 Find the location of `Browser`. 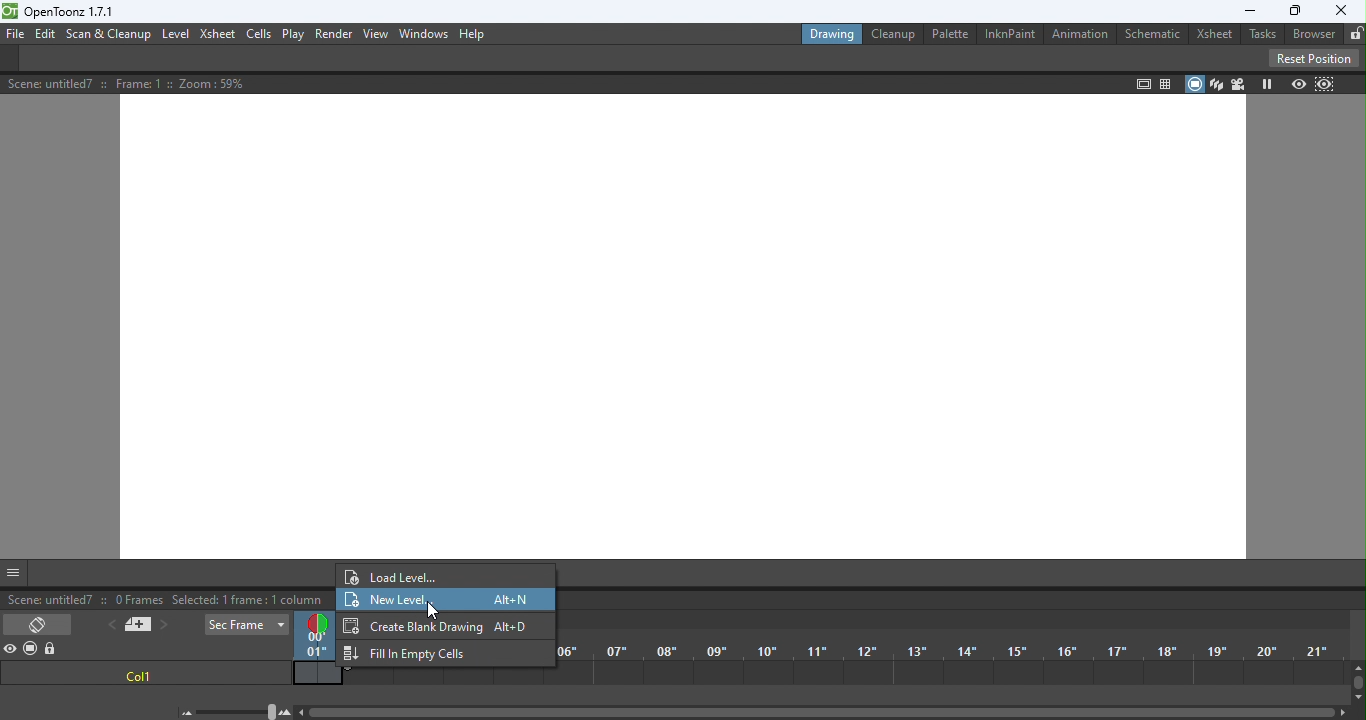

Browser is located at coordinates (1311, 35).